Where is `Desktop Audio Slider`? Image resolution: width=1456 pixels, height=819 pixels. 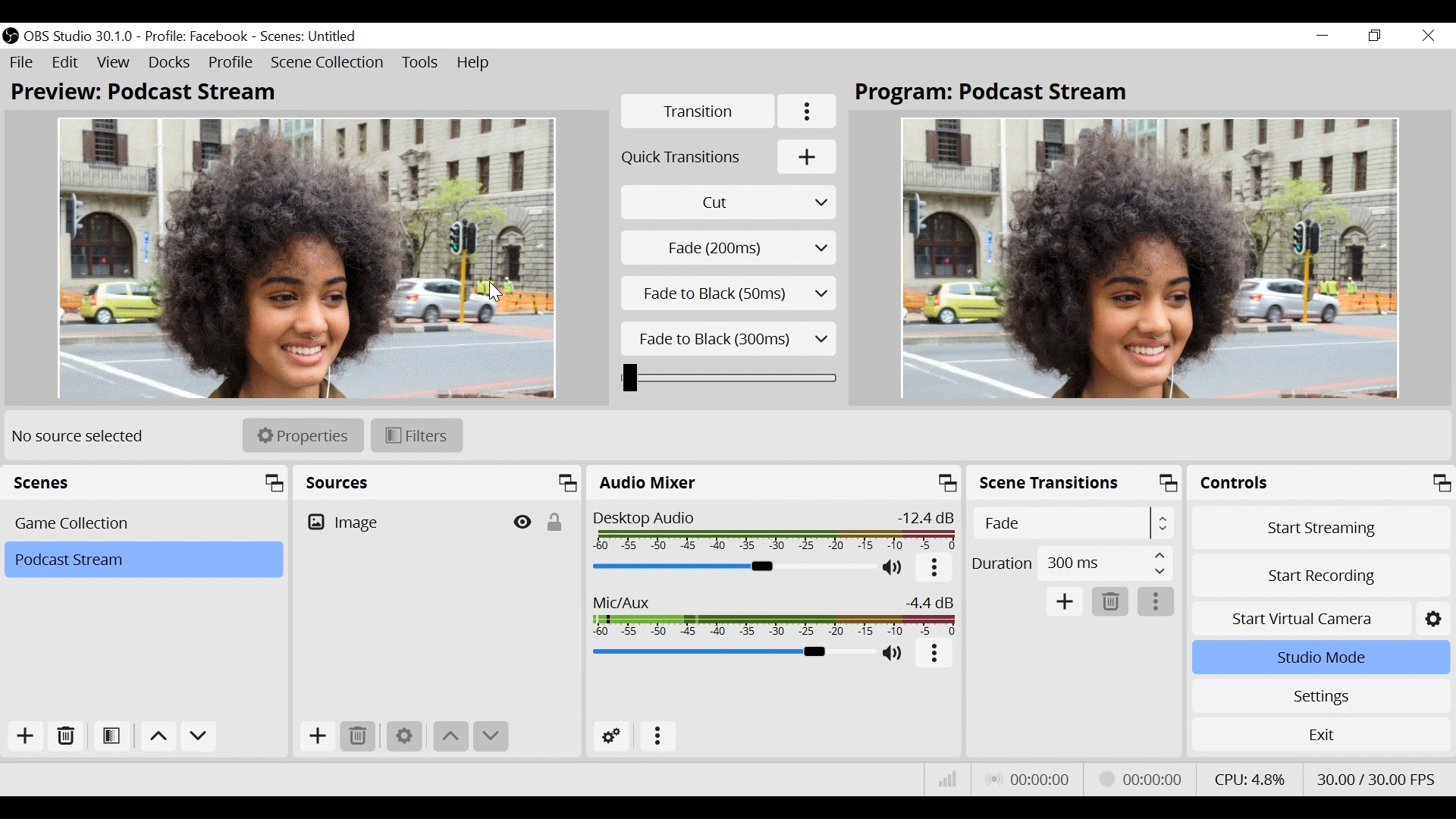
Desktop Audio Slider is located at coordinates (730, 567).